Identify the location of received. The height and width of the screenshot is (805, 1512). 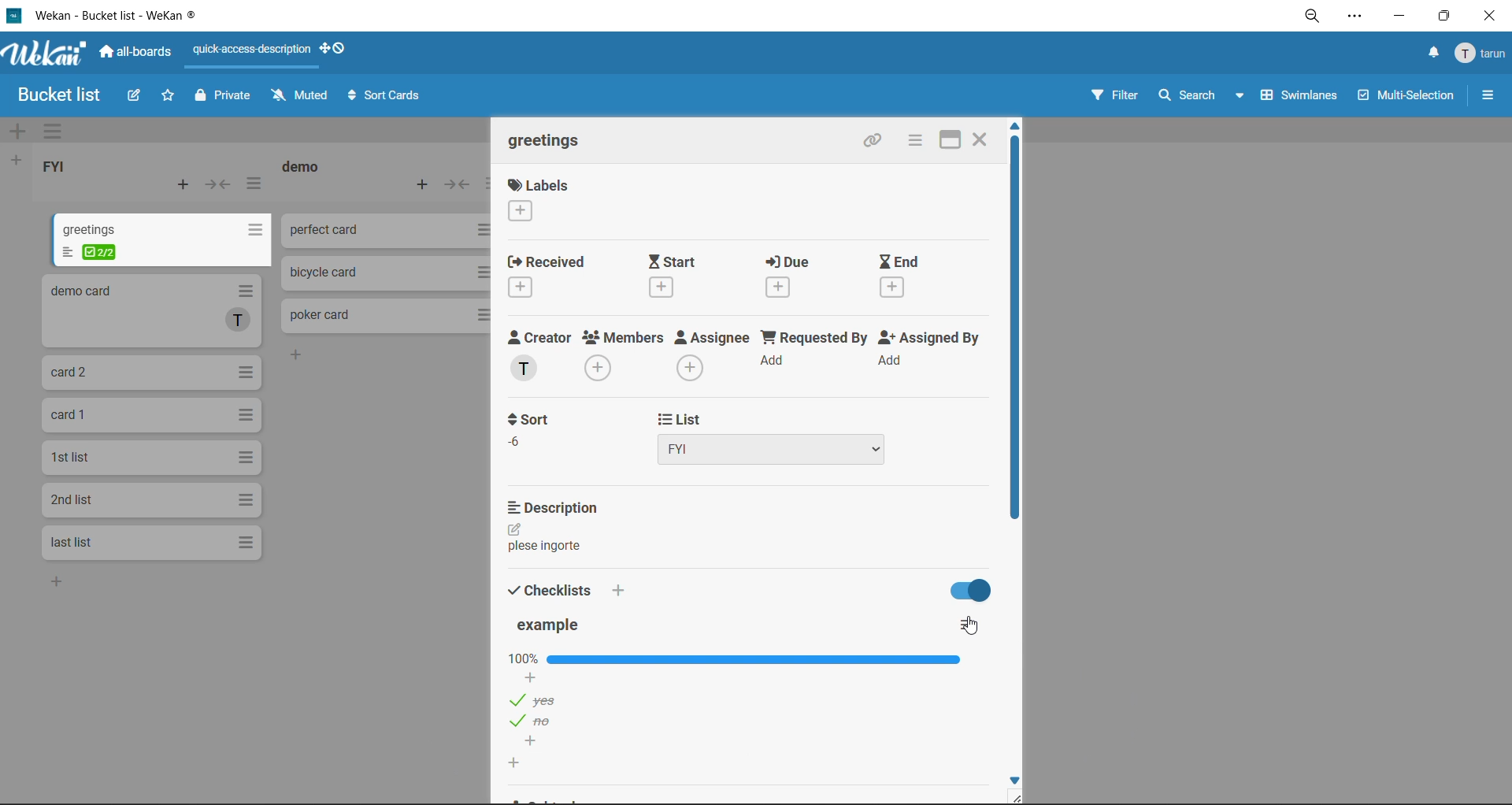
(543, 276).